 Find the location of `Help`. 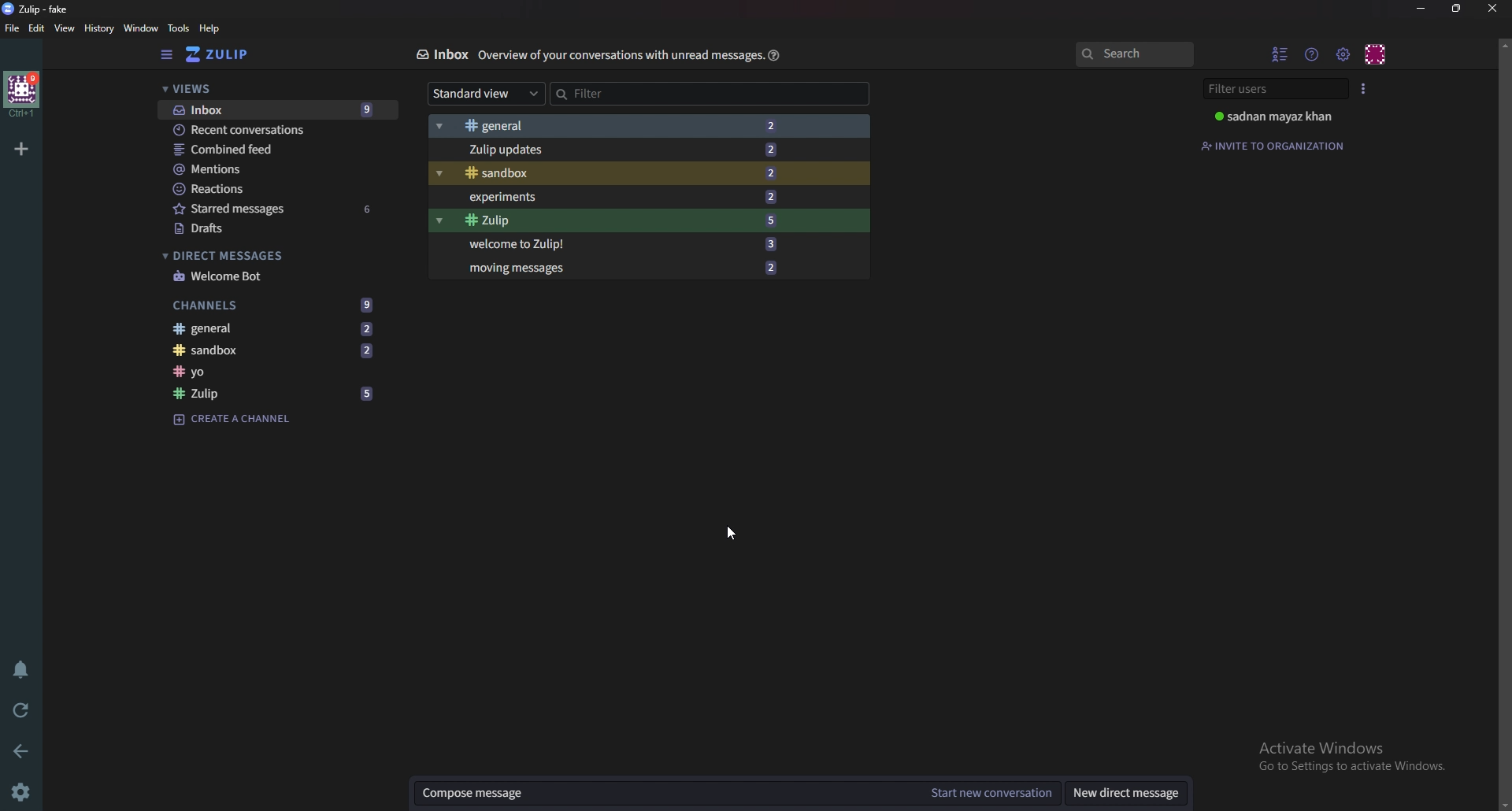

Help is located at coordinates (774, 56).